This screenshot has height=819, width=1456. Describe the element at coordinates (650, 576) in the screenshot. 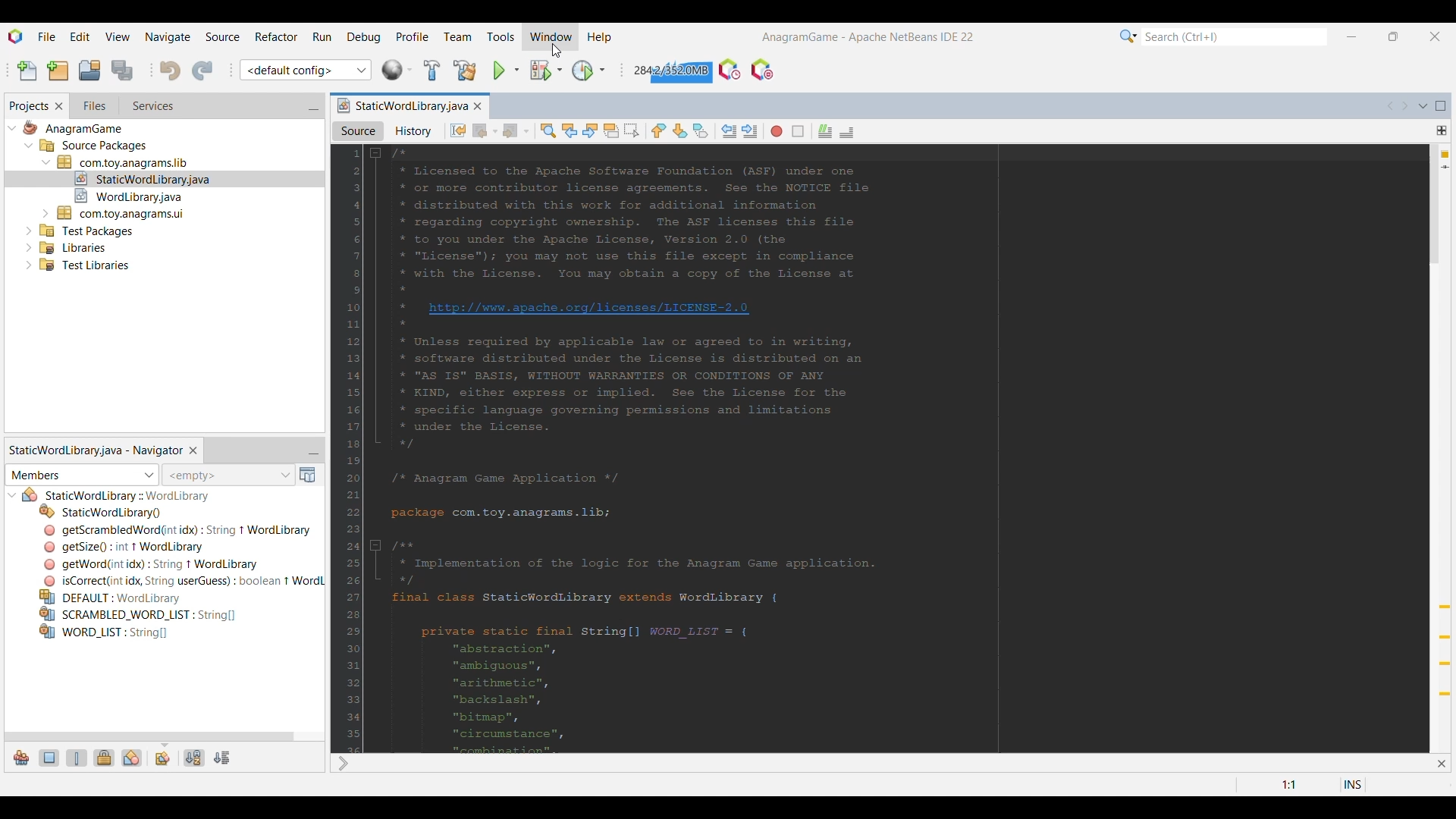

I see `` at that location.